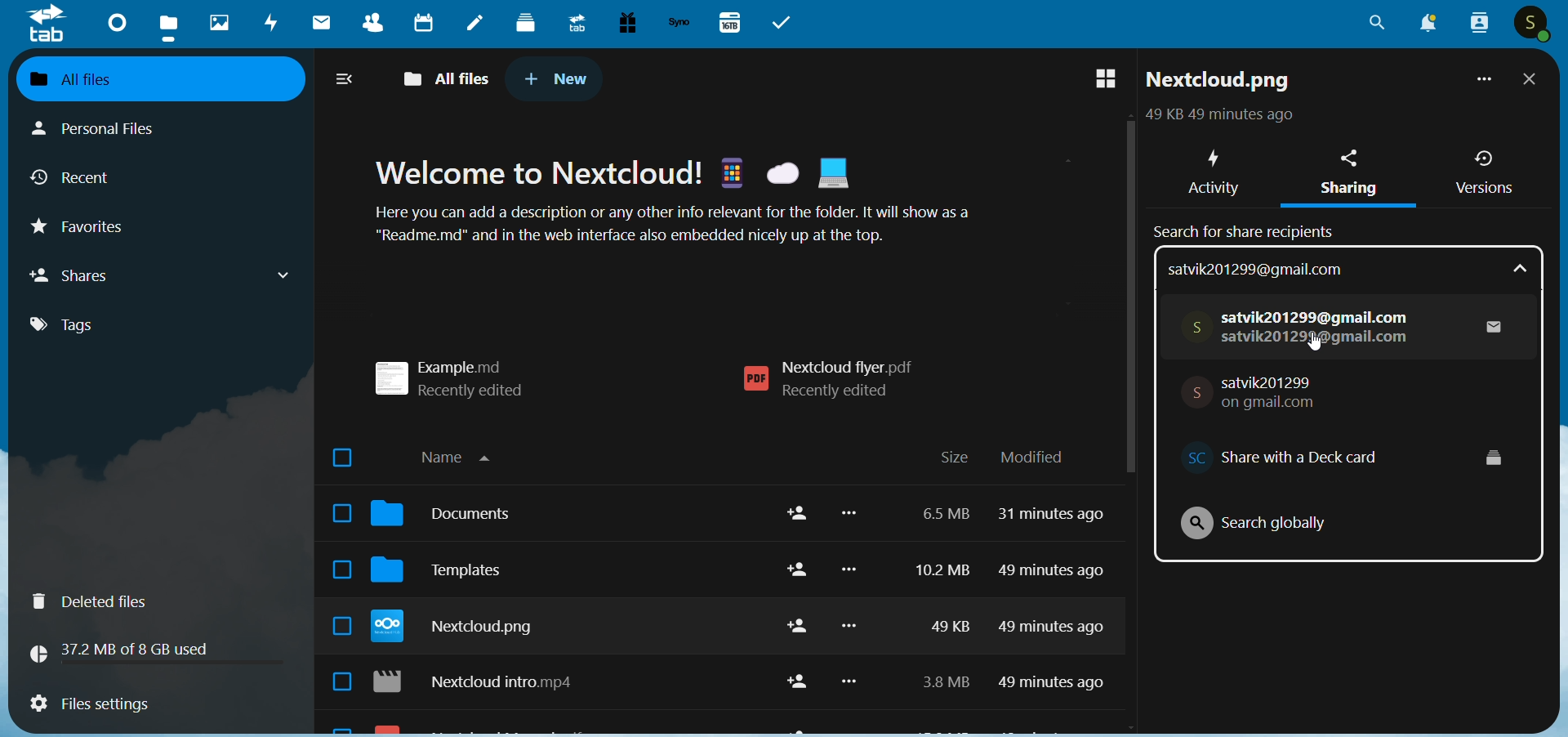 Image resolution: width=1568 pixels, height=737 pixels. What do you see at coordinates (114, 21) in the screenshot?
I see `dashboard` at bounding box center [114, 21].